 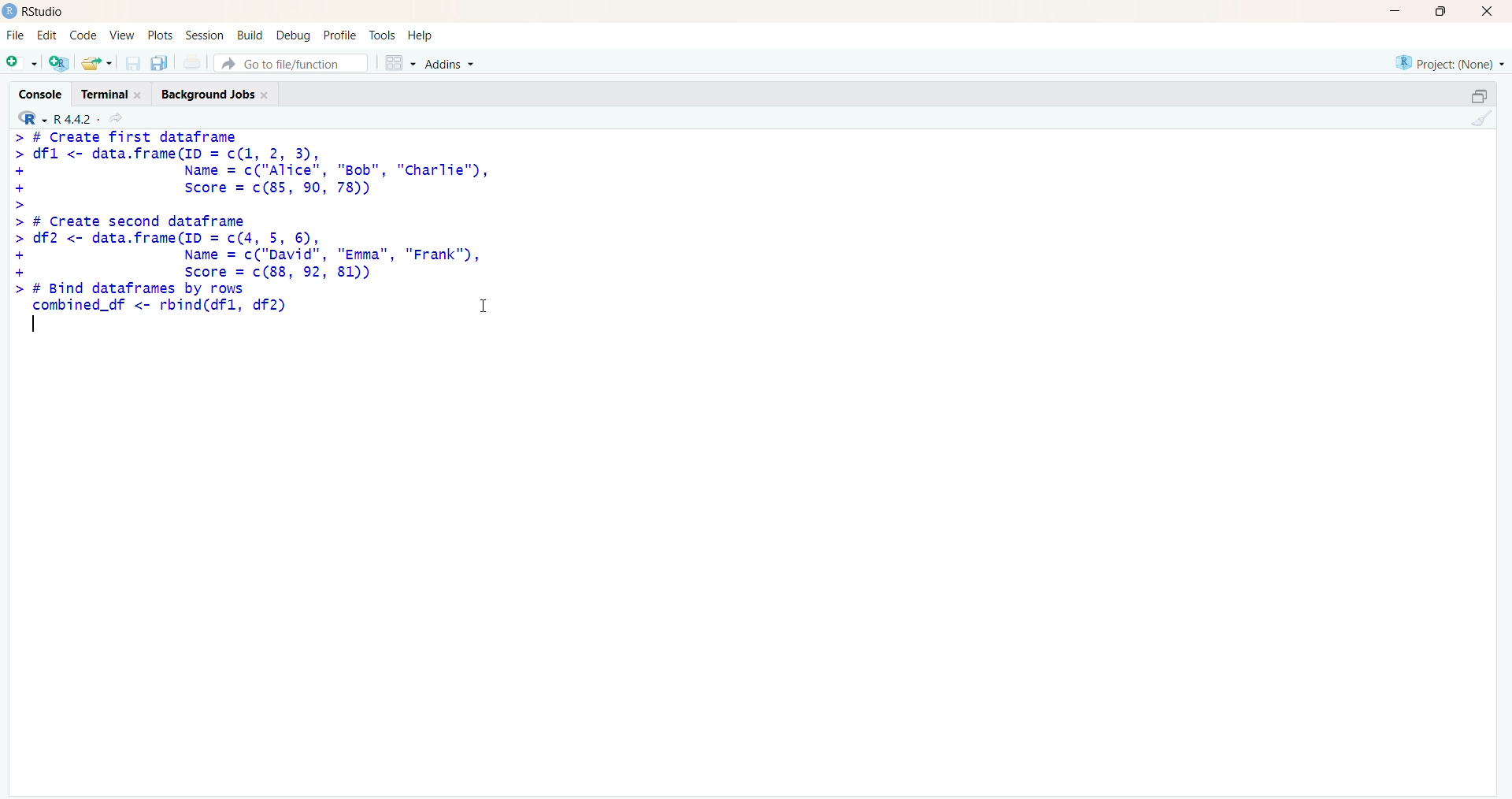 I want to click on Build, so click(x=250, y=35).